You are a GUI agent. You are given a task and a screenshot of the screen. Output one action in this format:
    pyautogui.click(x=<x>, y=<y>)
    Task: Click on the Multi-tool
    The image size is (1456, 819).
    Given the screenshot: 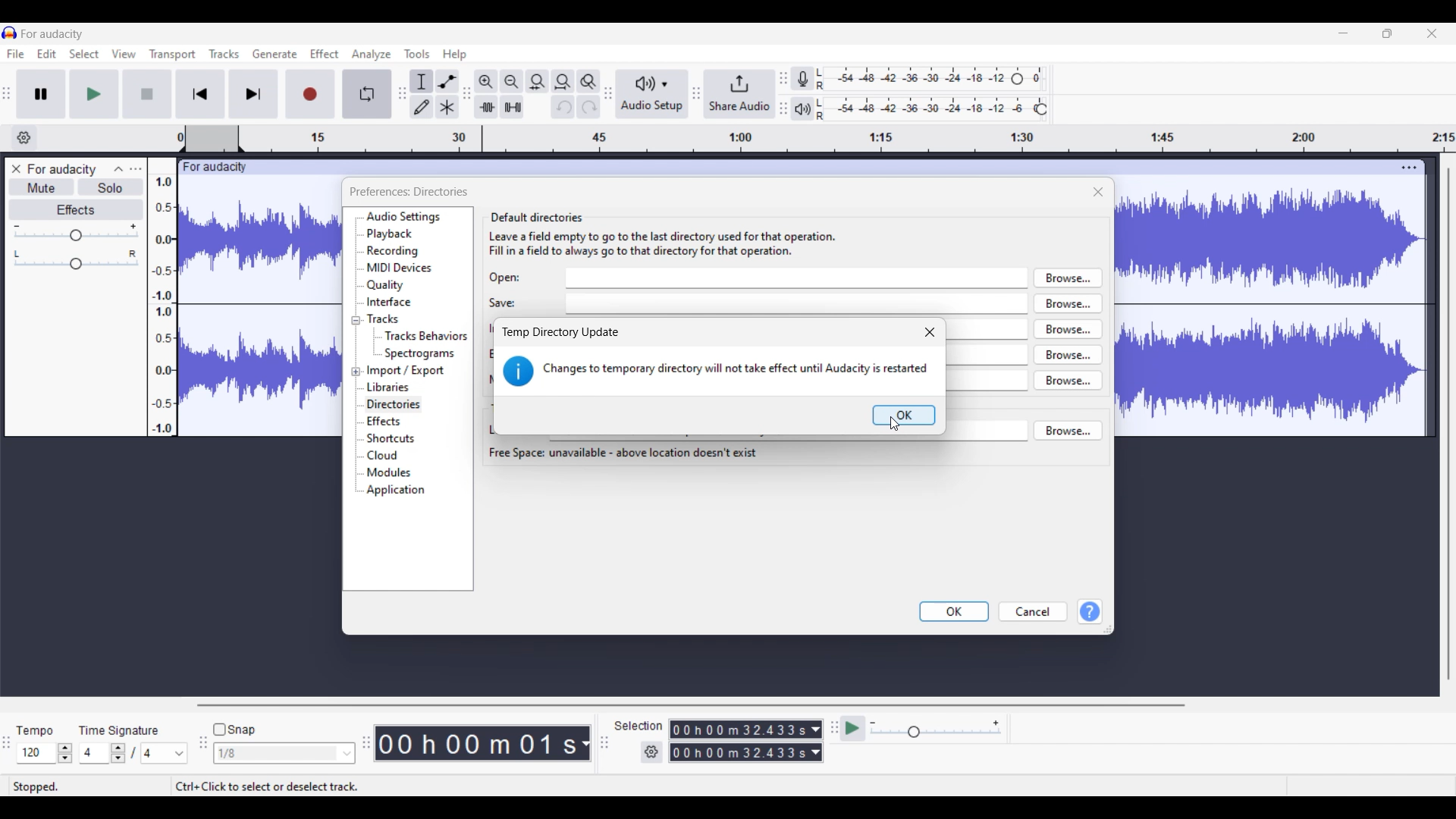 What is the action you would take?
    pyautogui.click(x=447, y=106)
    